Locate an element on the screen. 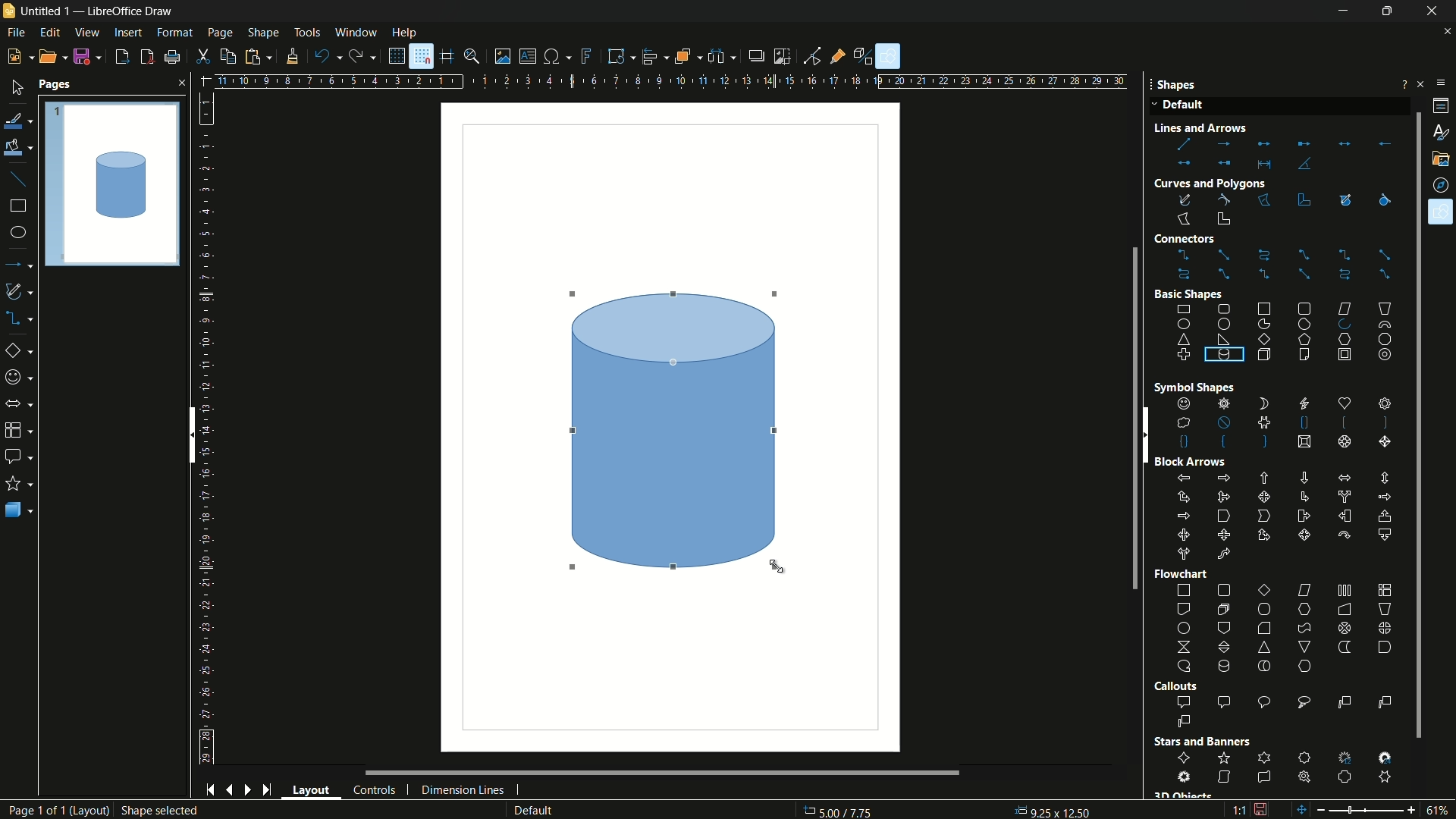 The image size is (1456, 819). insert special characters is located at coordinates (557, 58).